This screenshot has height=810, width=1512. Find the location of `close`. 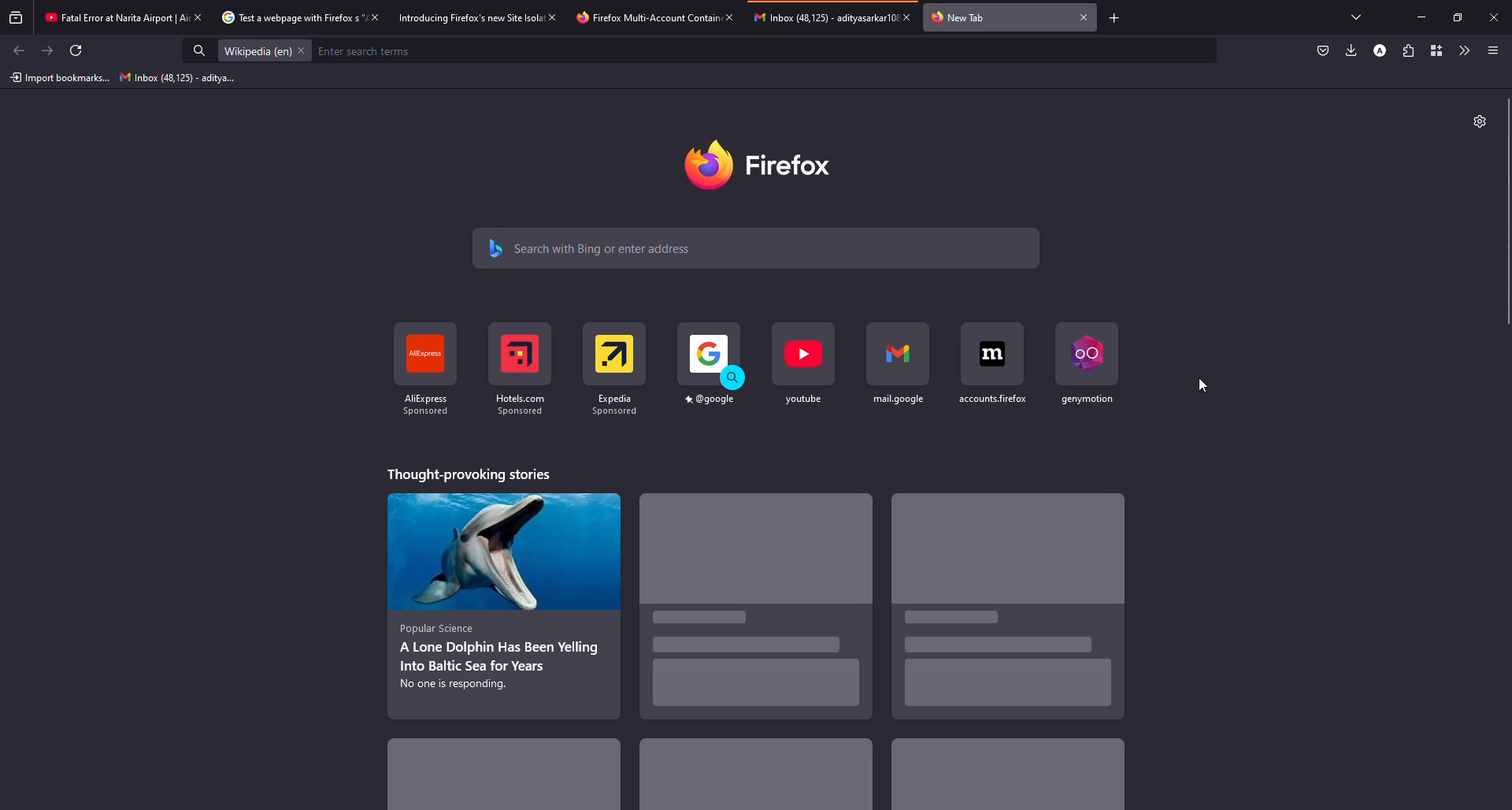

close is located at coordinates (552, 17).